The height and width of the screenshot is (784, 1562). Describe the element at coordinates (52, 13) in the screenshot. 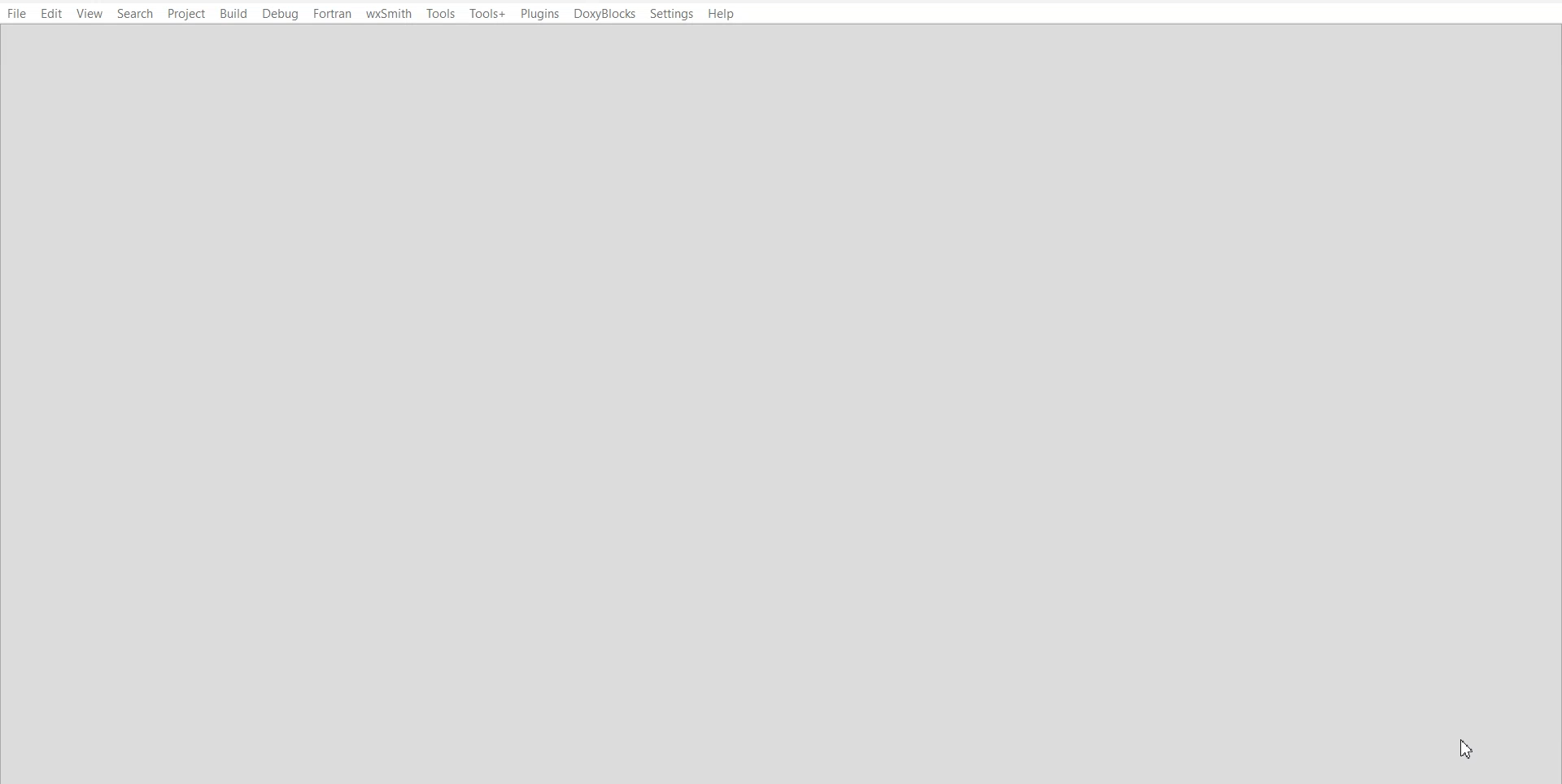

I see `Edit` at that location.